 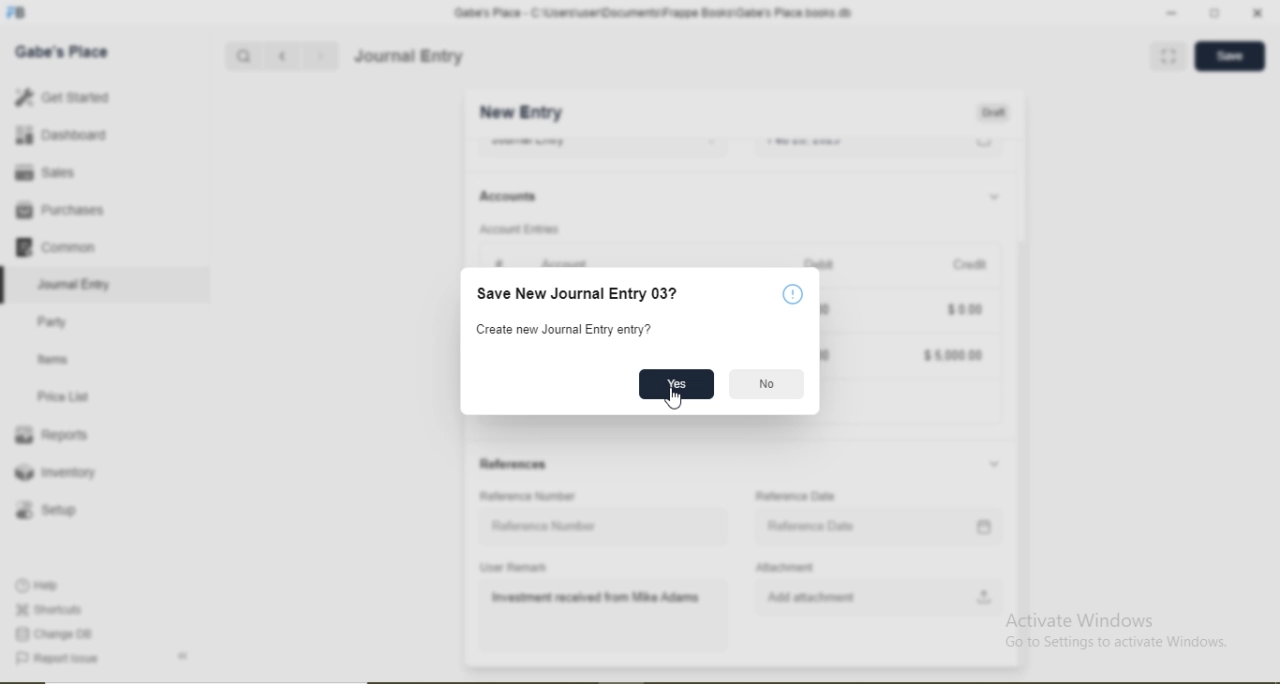 What do you see at coordinates (53, 324) in the screenshot?
I see `Party` at bounding box center [53, 324].